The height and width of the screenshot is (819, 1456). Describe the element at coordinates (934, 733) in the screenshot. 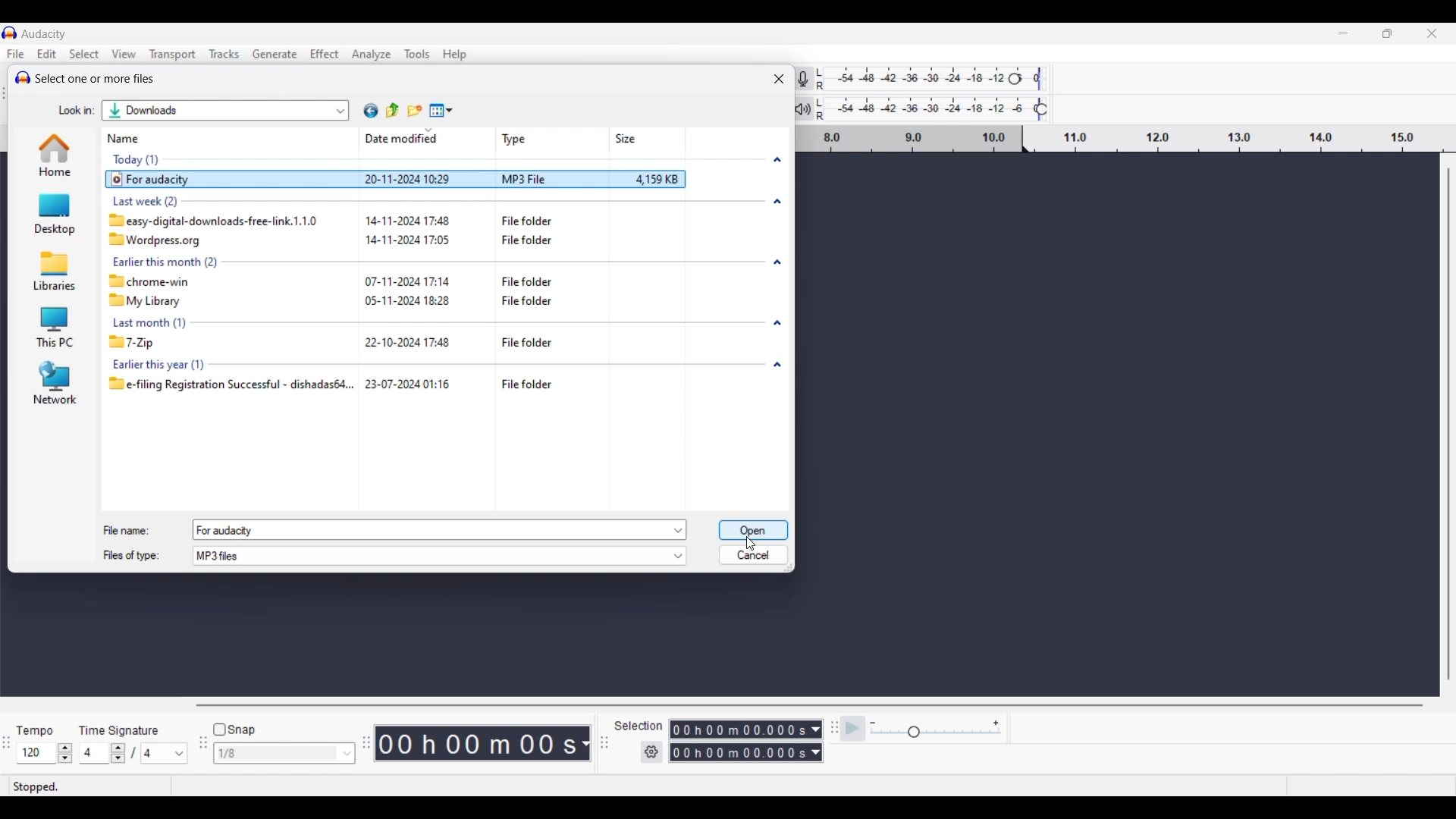

I see `Slider to change playback speed` at that location.